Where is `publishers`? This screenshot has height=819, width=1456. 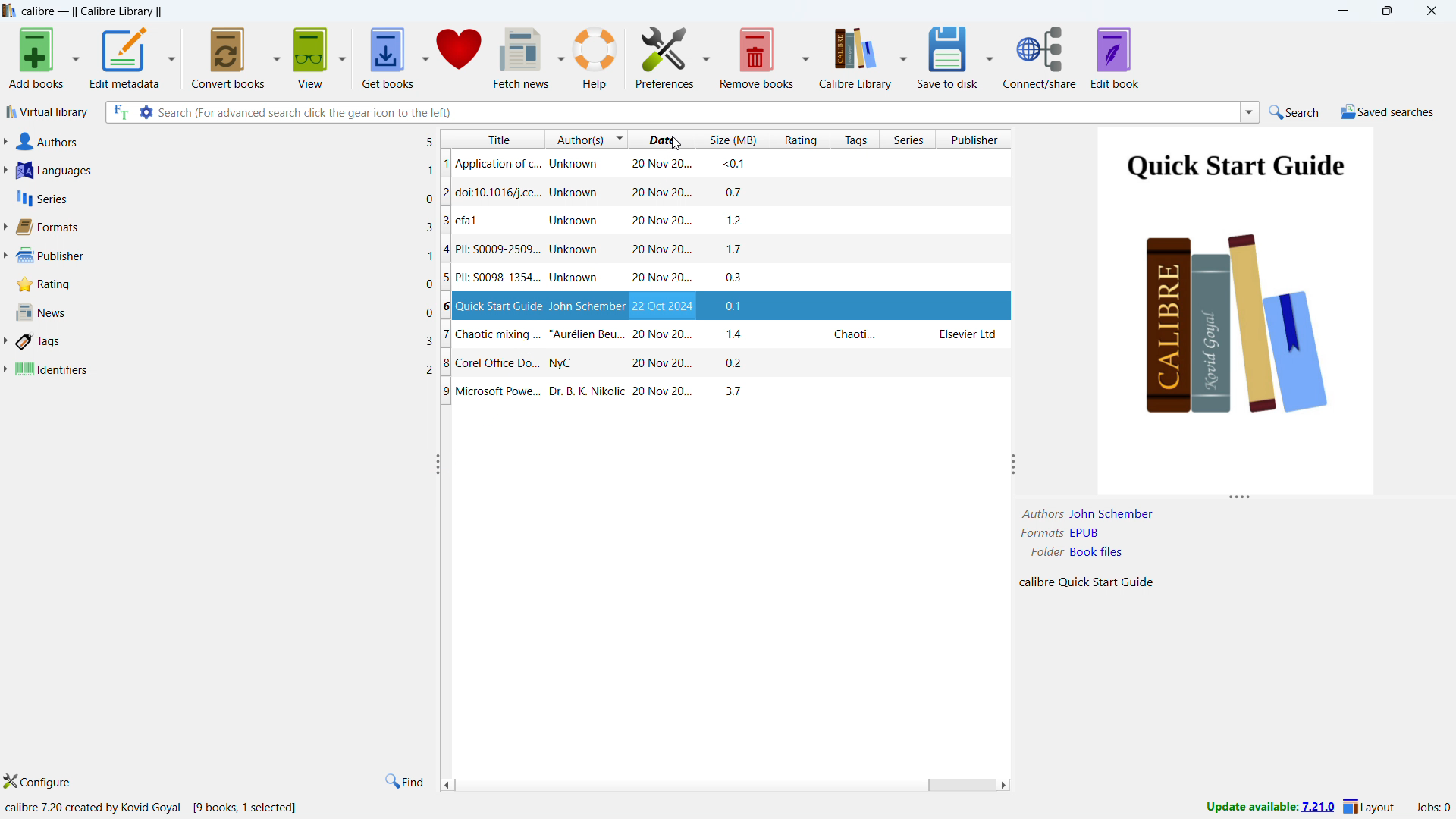 publishers is located at coordinates (224, 256).